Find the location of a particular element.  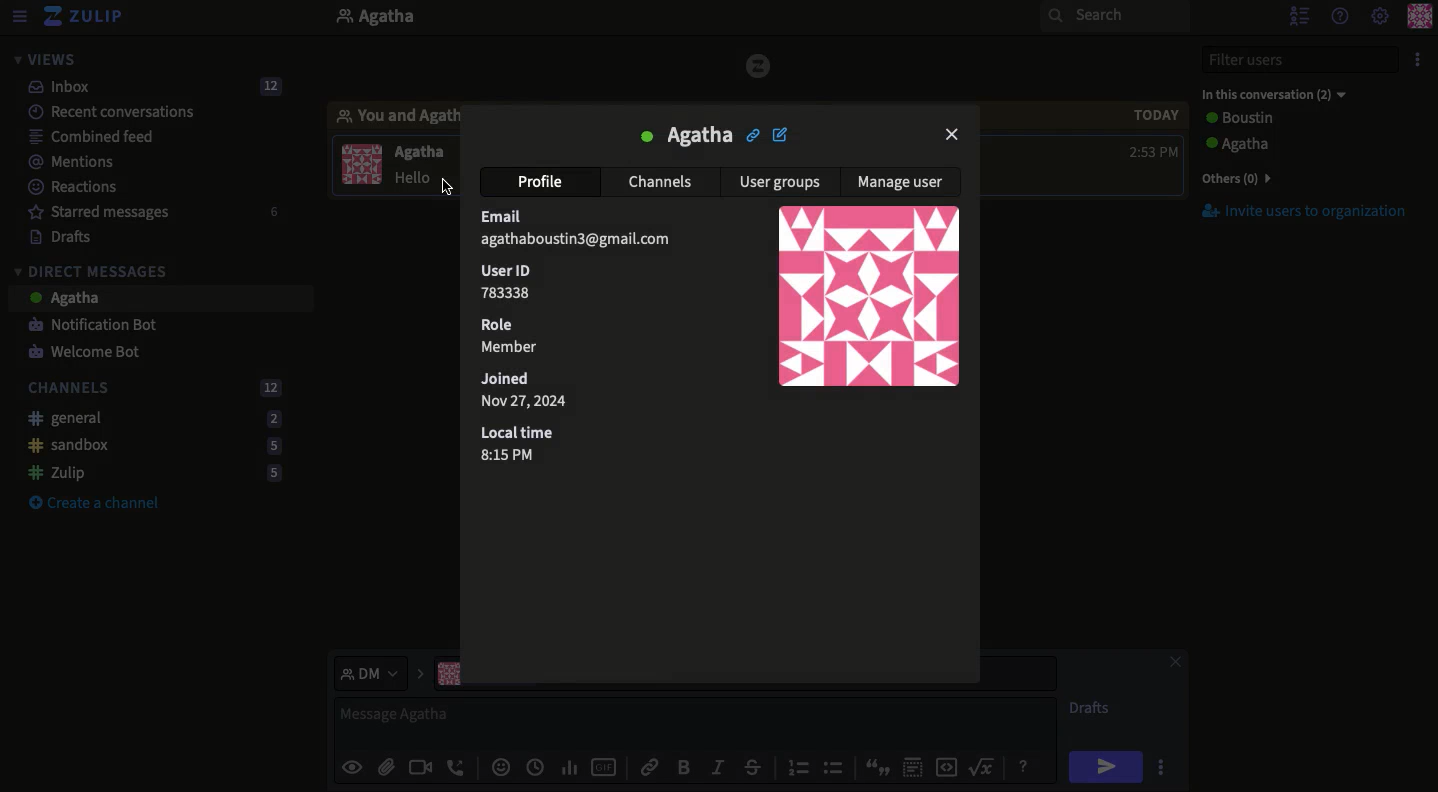

Users is located at coordinates (1288, 121).